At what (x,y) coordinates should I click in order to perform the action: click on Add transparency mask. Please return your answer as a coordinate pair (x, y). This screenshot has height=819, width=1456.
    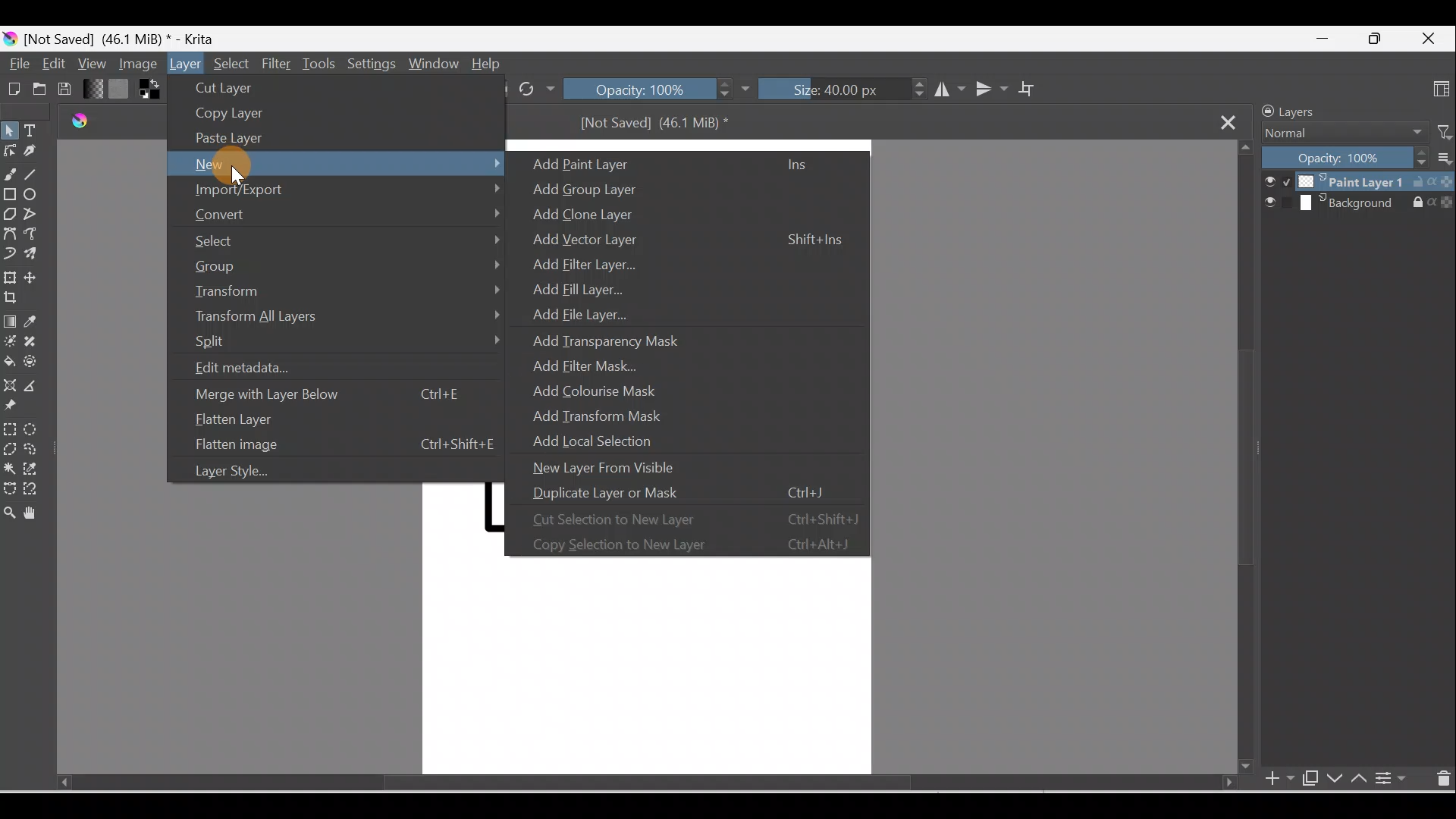
    Looking at the image, I should click on (607, 337).